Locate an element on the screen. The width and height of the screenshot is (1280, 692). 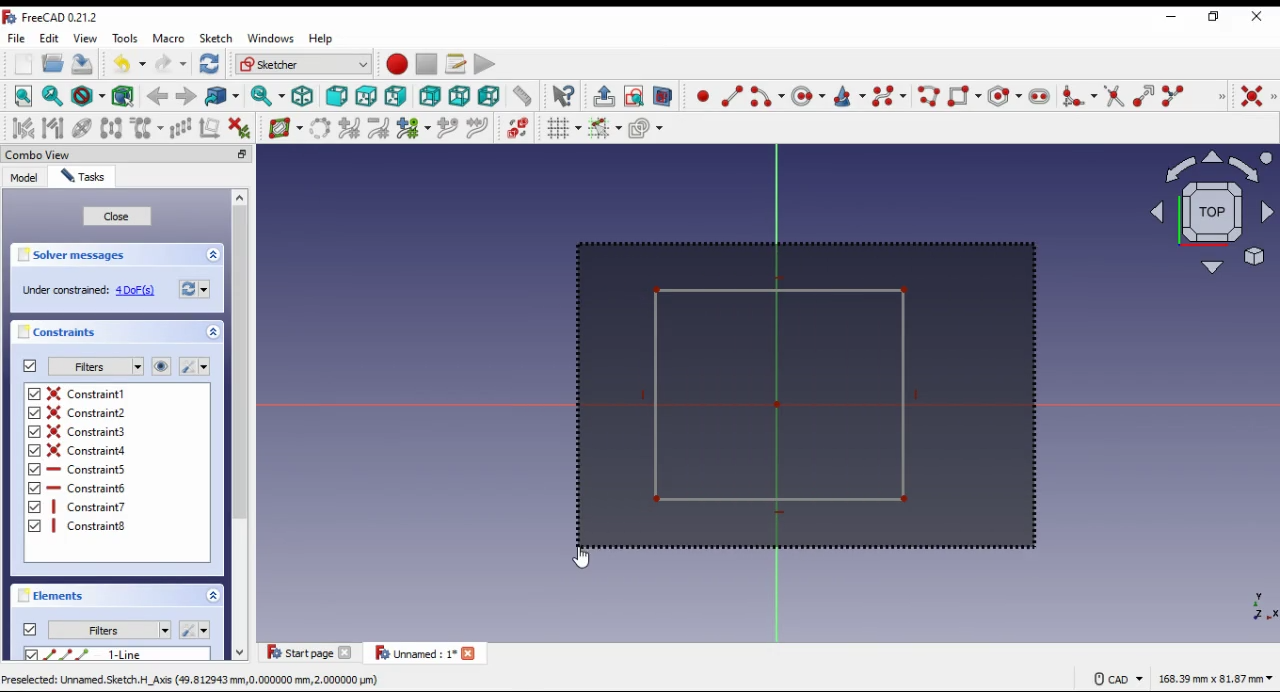
solver messages is located at coordinates (77, 255).